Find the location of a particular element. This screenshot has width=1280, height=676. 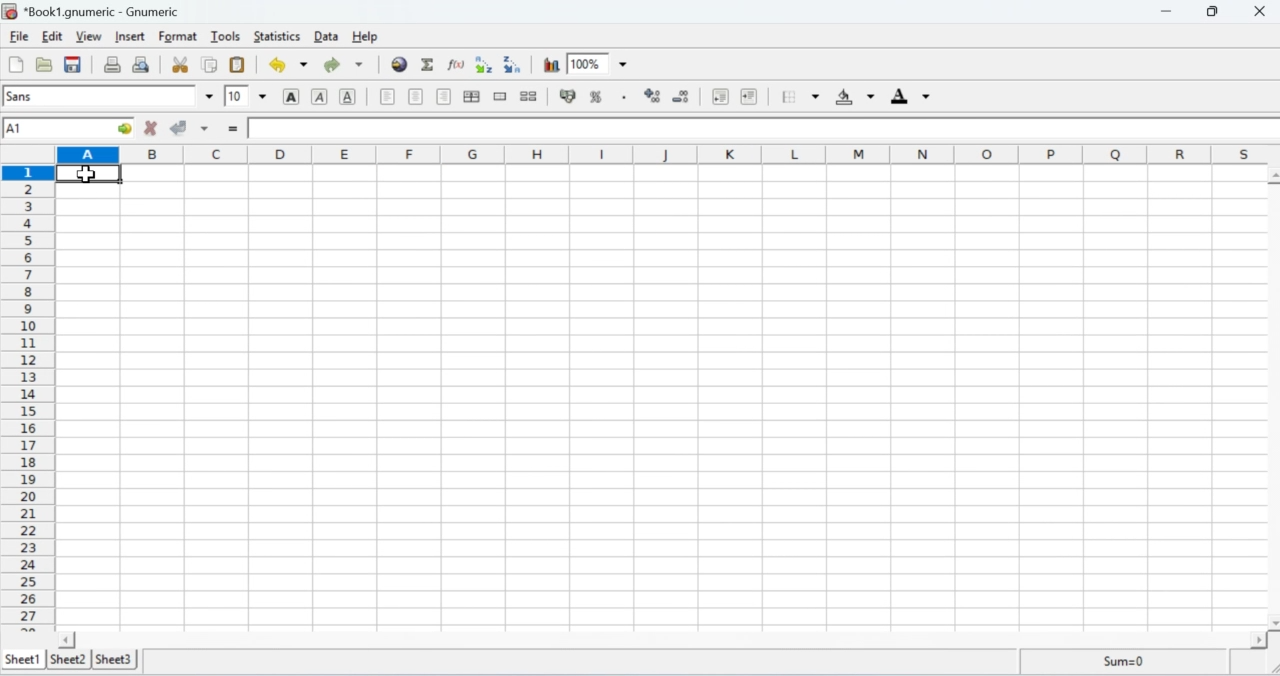

Redo is located at coordinates (338, 64).